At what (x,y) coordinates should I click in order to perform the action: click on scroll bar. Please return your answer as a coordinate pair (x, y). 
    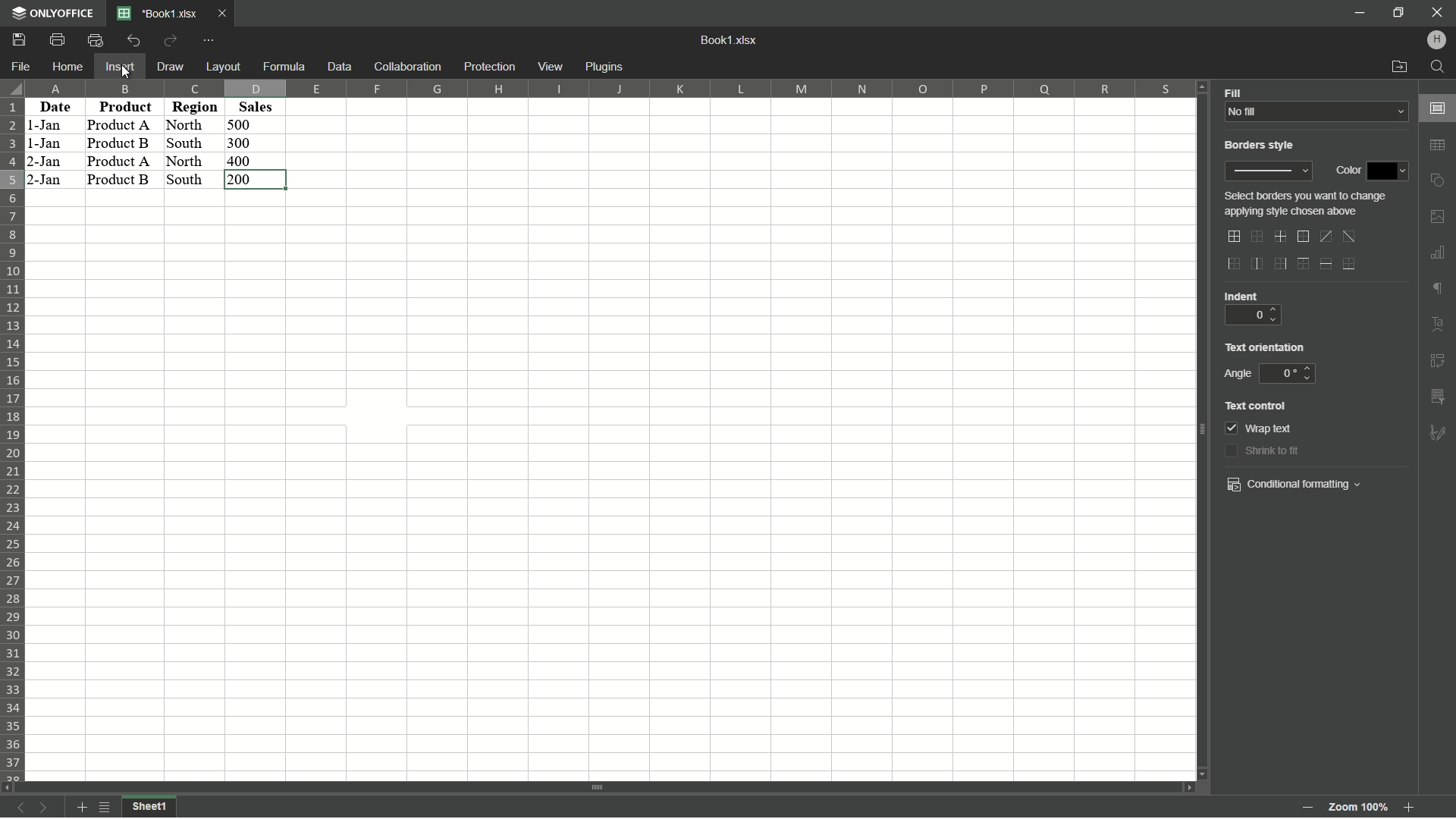
    Looking at the image, I should click on (599, 786).